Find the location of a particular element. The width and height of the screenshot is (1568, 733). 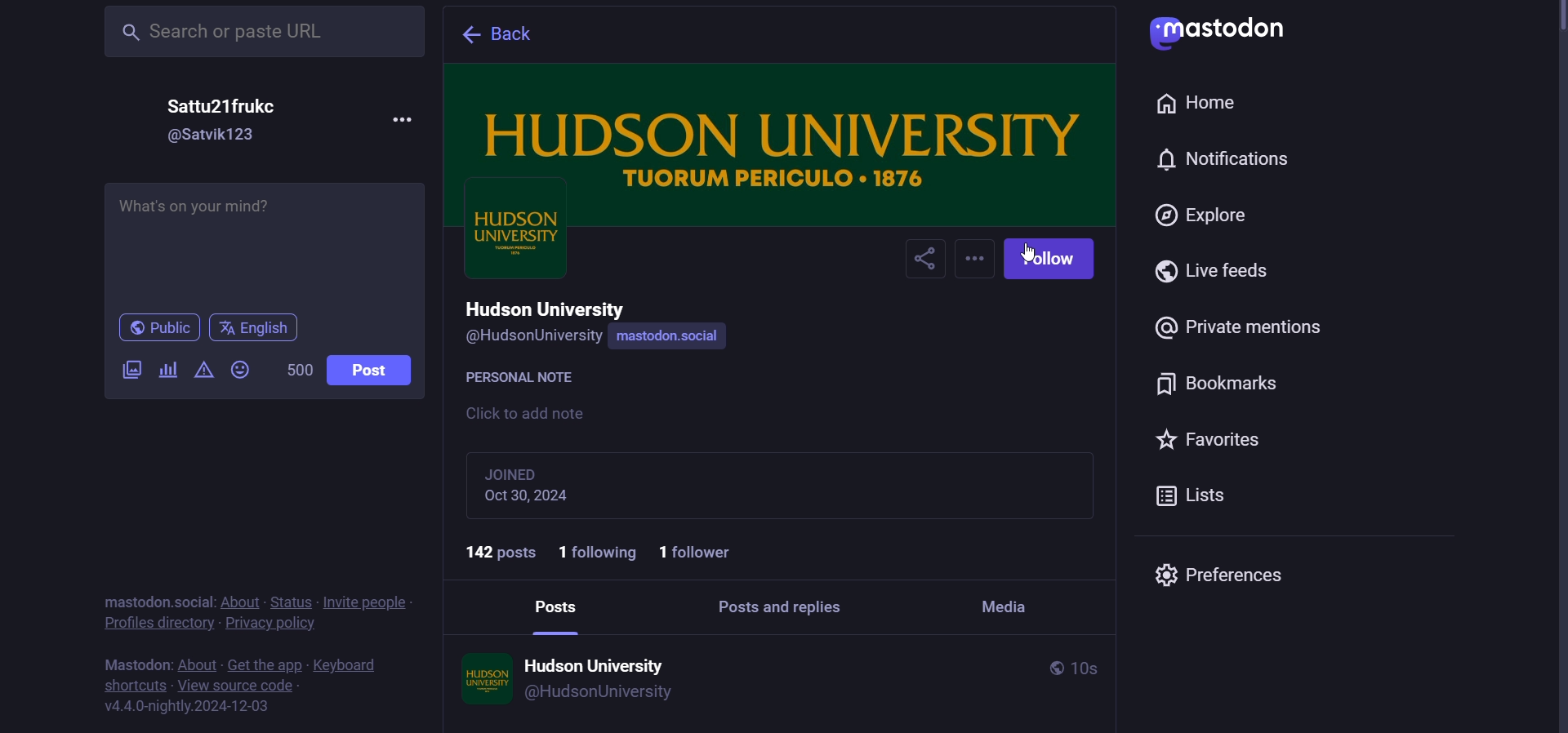

@Satvik123 is located at coordinates (220, 136).